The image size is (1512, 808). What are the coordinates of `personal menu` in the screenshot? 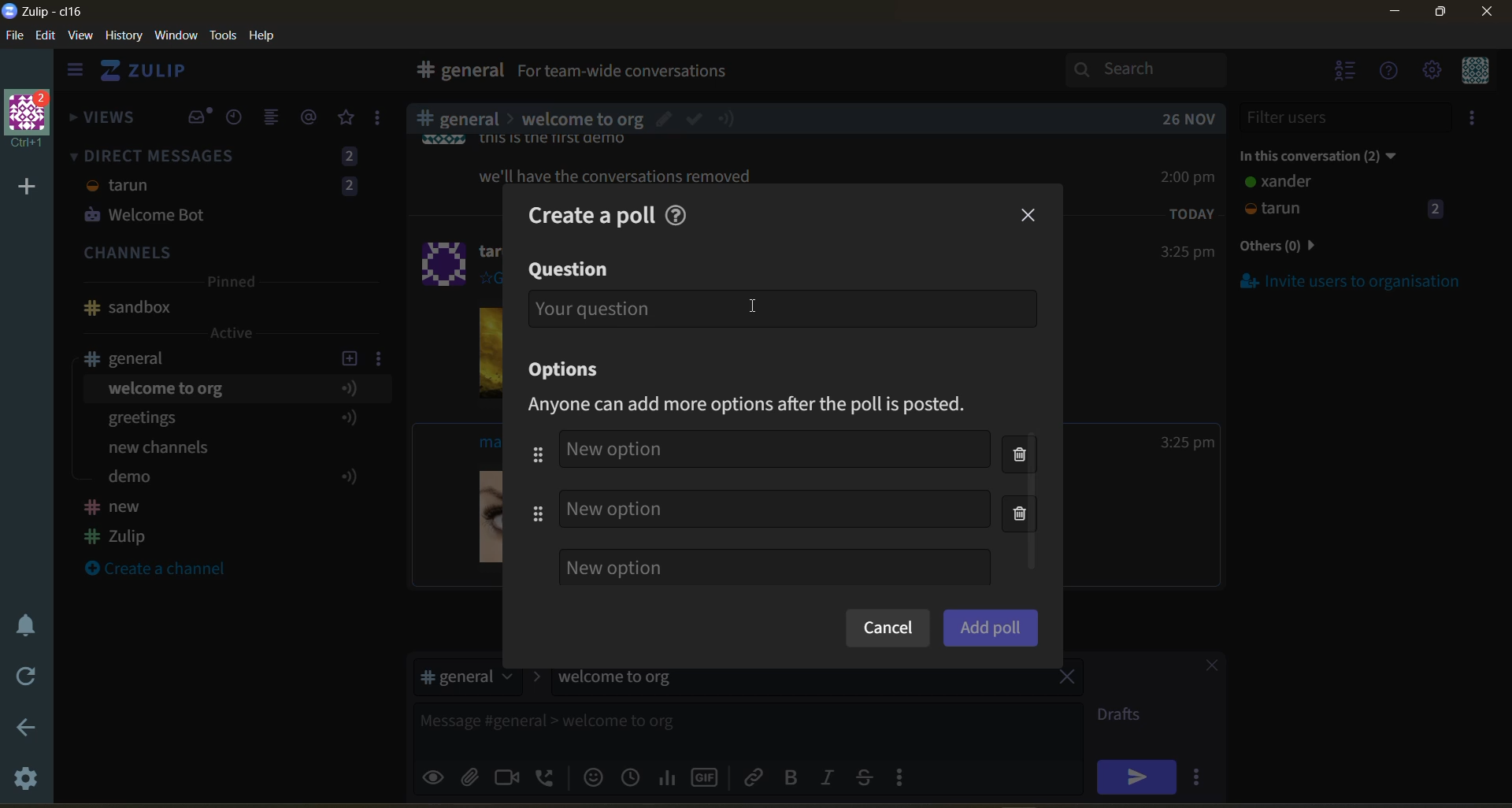 It's located at (1473, 72).